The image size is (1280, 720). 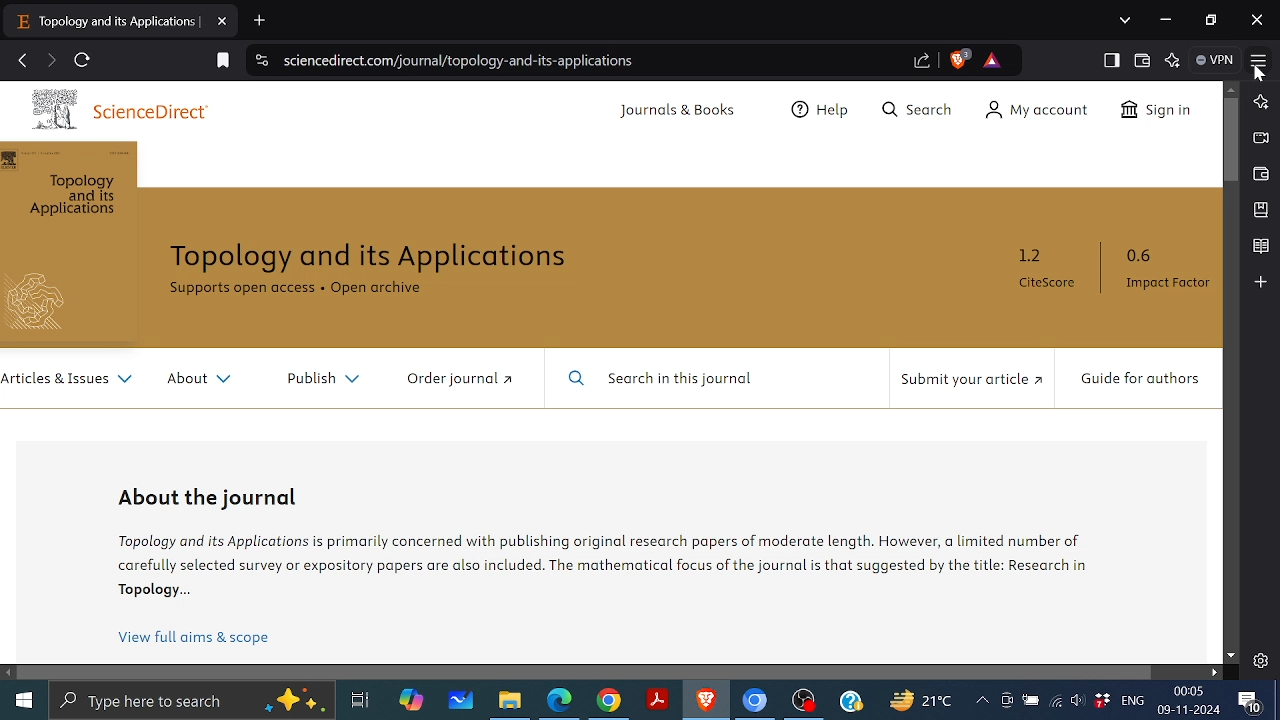 What do you see at coordinates (755, 702) in the screenshot?
I see `Chromium` at bounding box center [755, 702].